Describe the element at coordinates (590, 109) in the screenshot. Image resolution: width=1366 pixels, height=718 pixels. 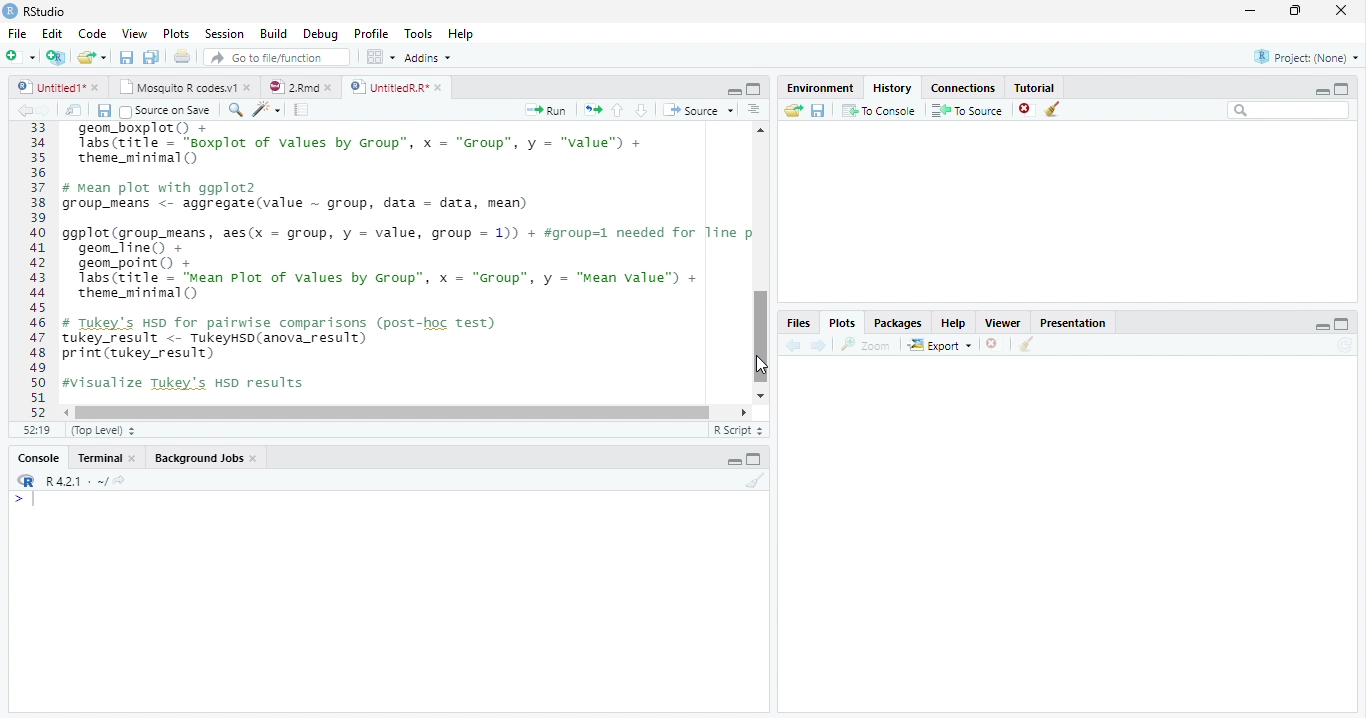
I see `Copy pages` at that location.